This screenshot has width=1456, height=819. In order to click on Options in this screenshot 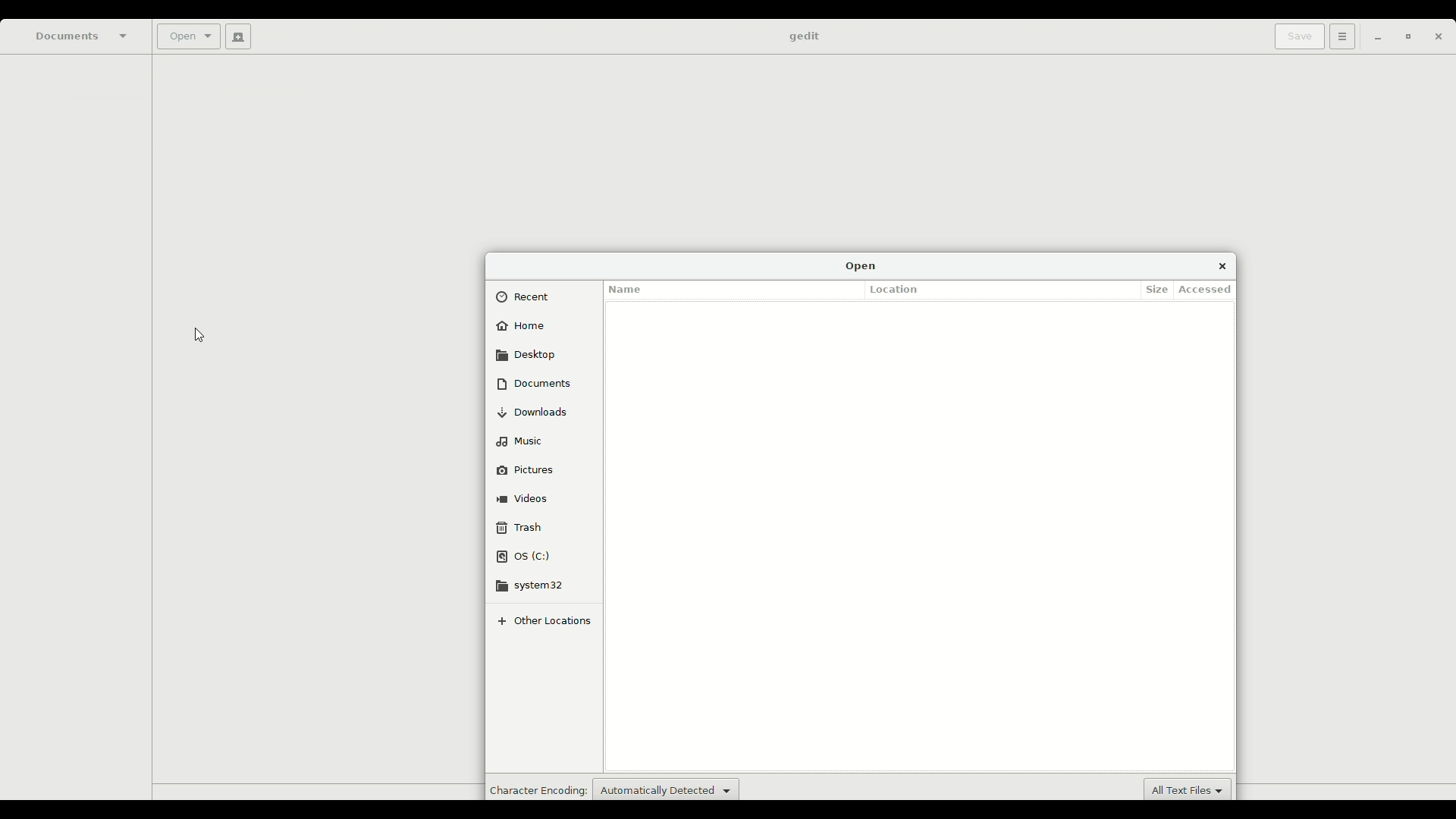, I will do `click(1340, 36)`.